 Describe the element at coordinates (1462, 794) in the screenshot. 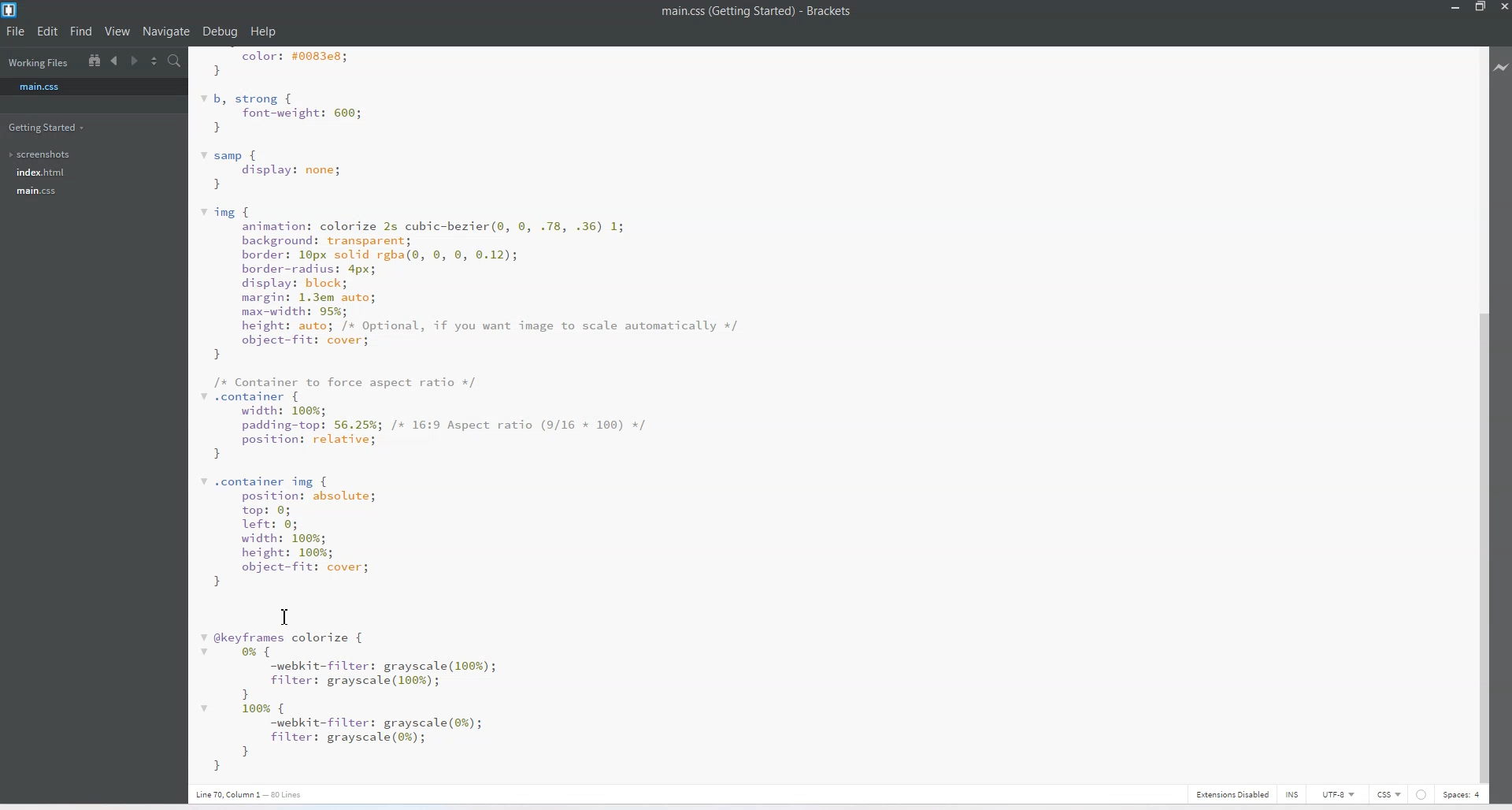

I see `Spaces: 4` at that location.